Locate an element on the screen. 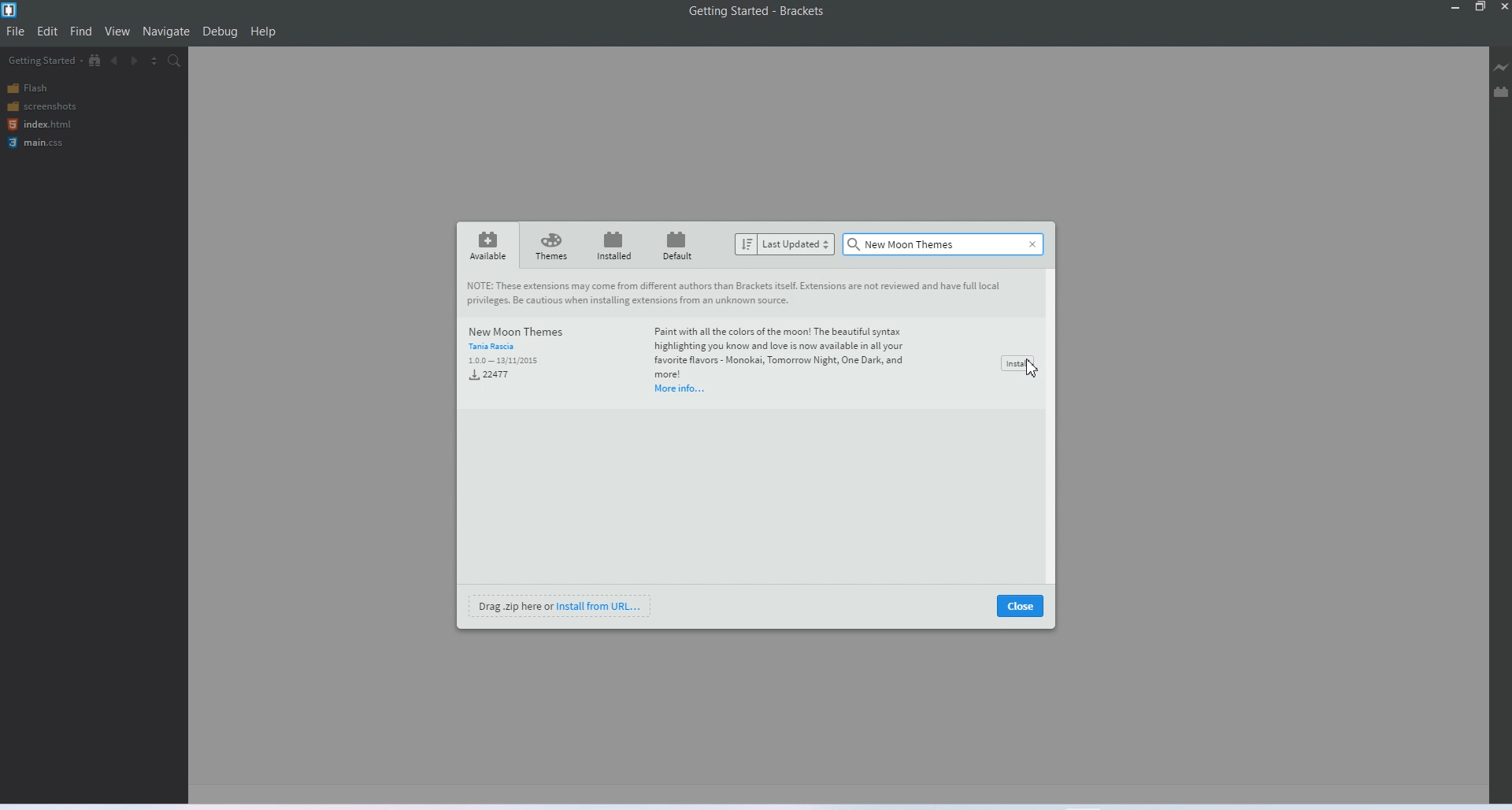 This screenshot has width=1512, height=810. New Moon Themes
Tora Racin

100 13/32015
Lem is located at coordinates (515, 354).